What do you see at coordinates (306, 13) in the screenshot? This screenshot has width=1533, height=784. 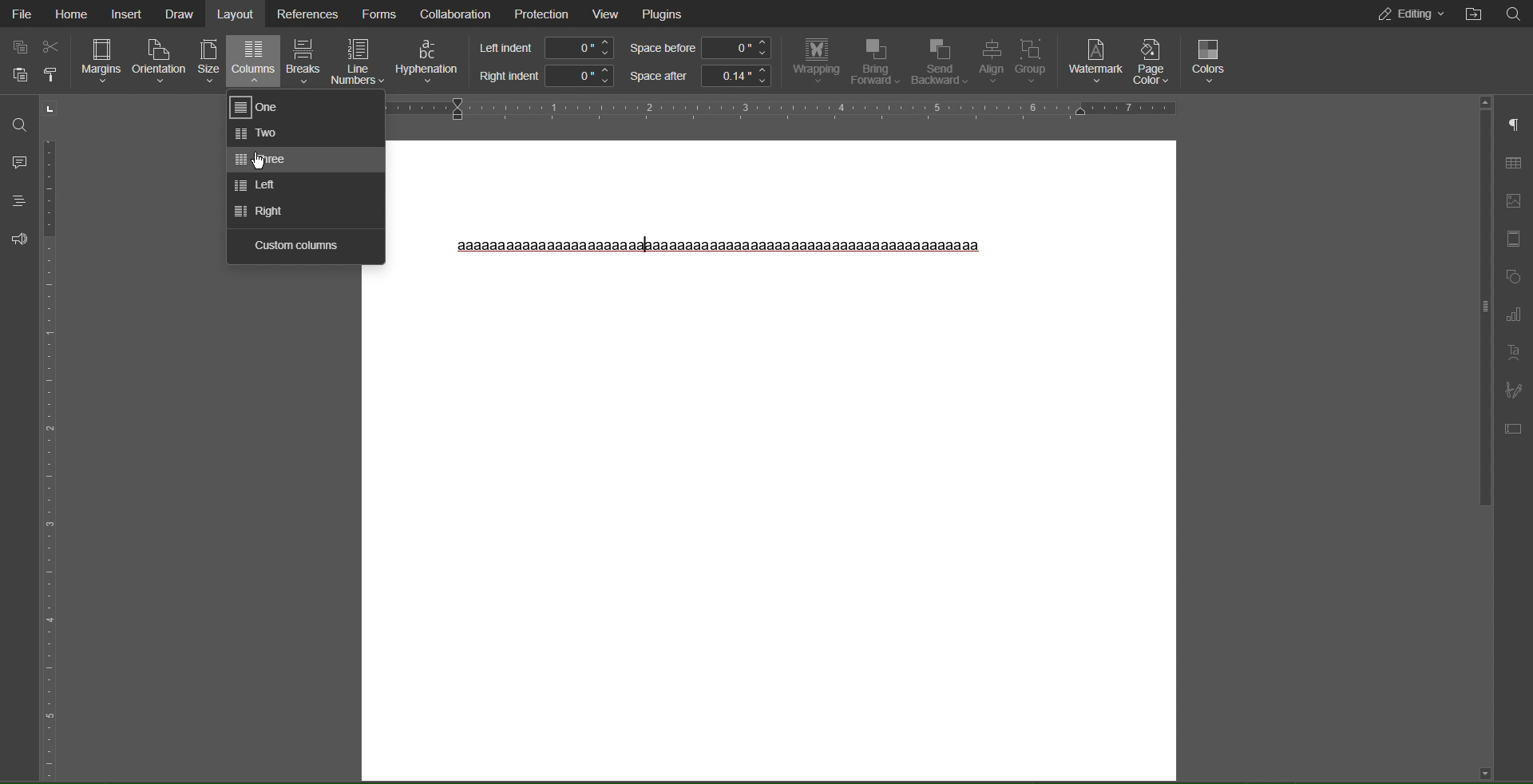 I see `References` at bounding box center [306, 13].